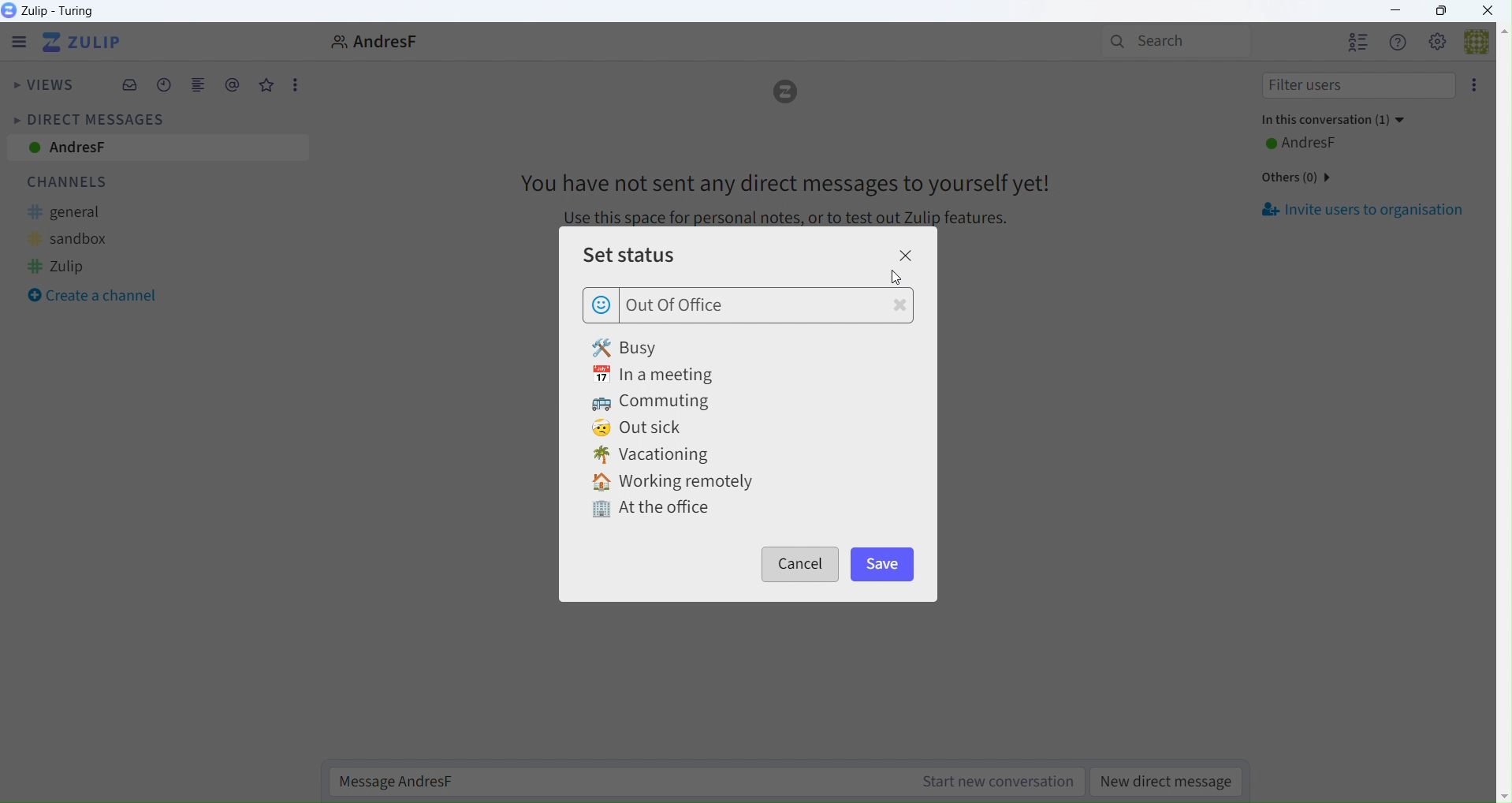 The width and height of the screenshot is (1512, 803). Describe the element at coordinates (88, 118) in the screenshot. I see `Direct Messages` at that location.